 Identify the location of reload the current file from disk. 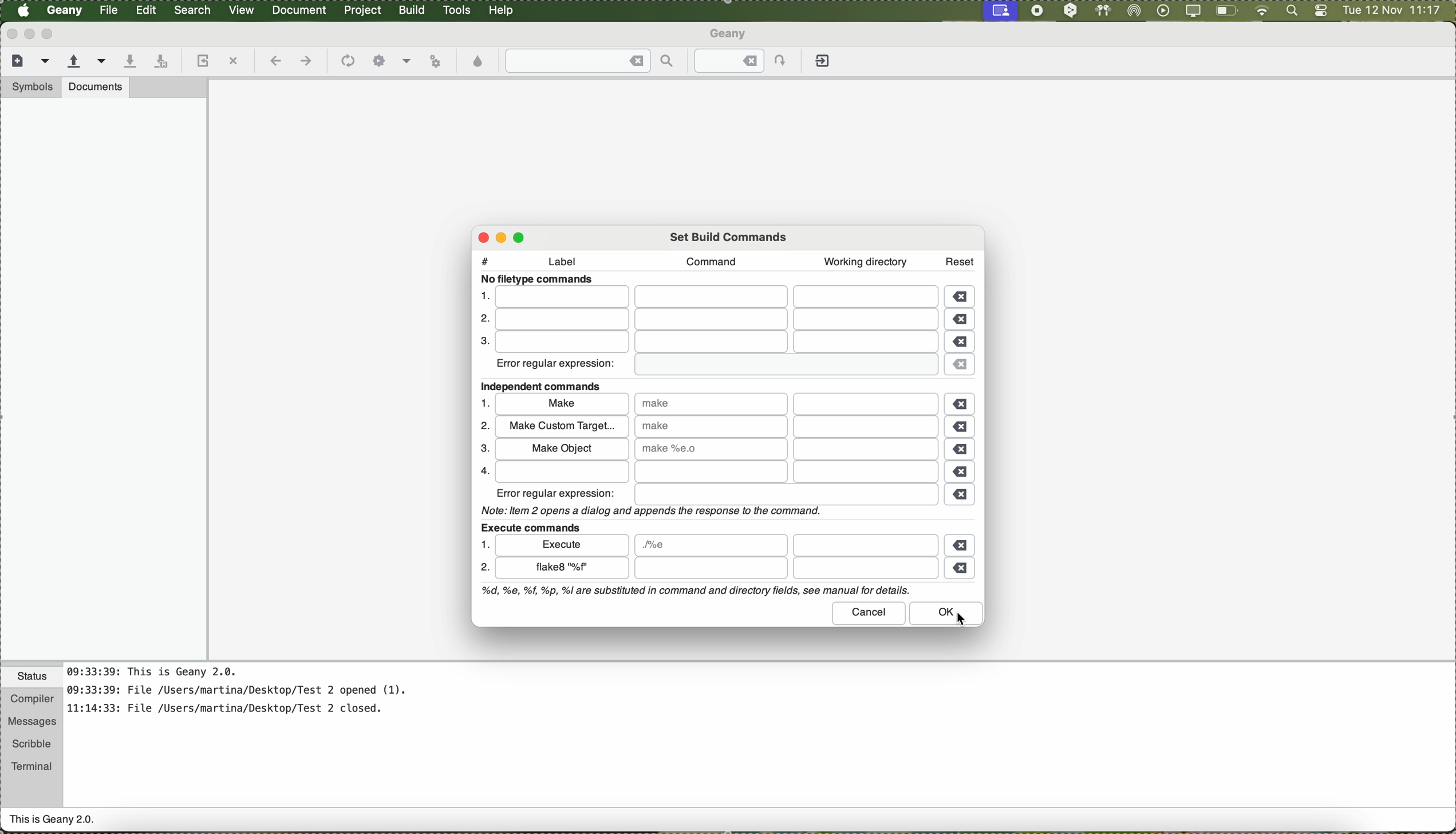
(201, 62).